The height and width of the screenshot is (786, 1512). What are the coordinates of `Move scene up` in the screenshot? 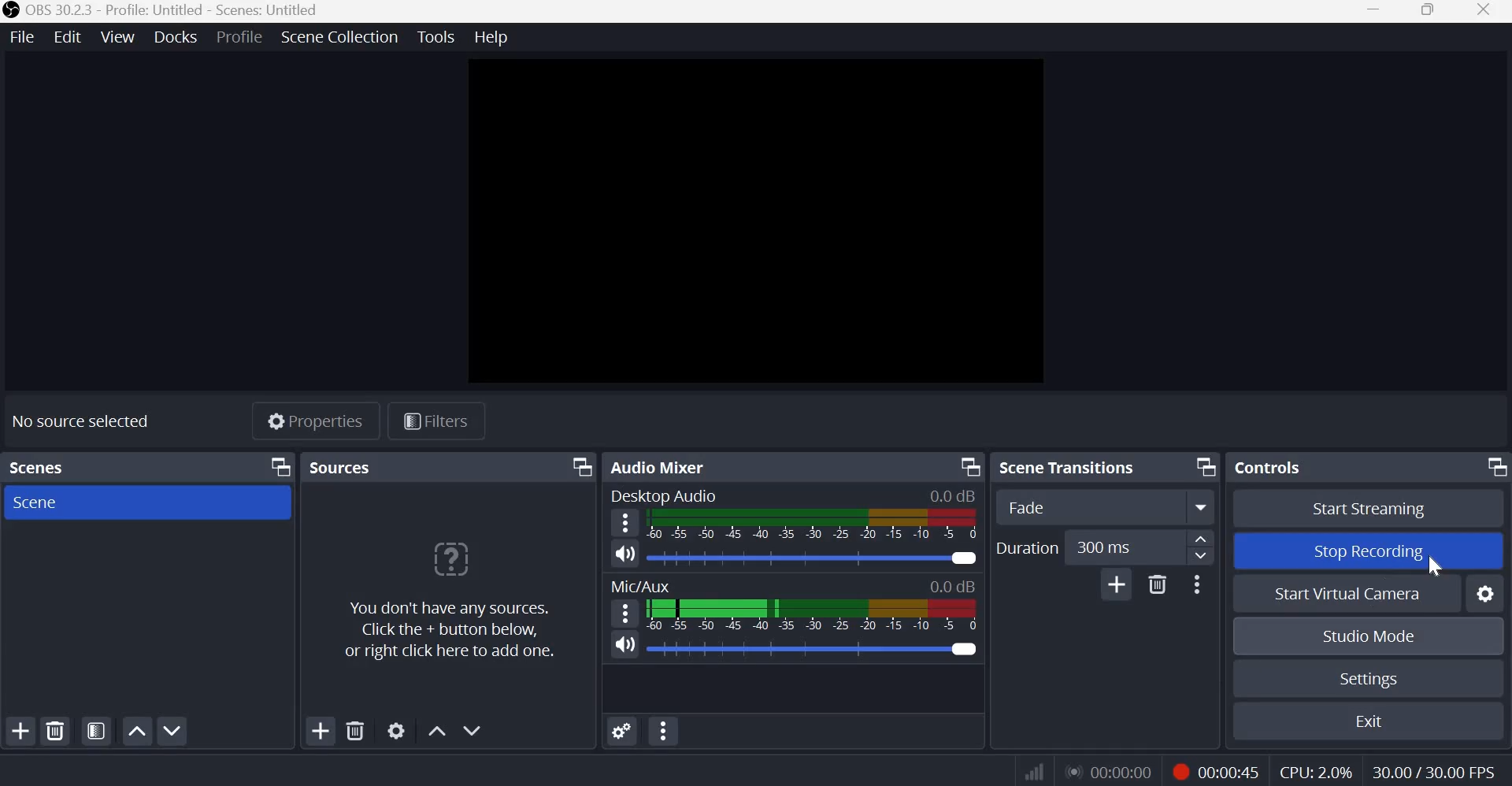 It's located at (137, 731).